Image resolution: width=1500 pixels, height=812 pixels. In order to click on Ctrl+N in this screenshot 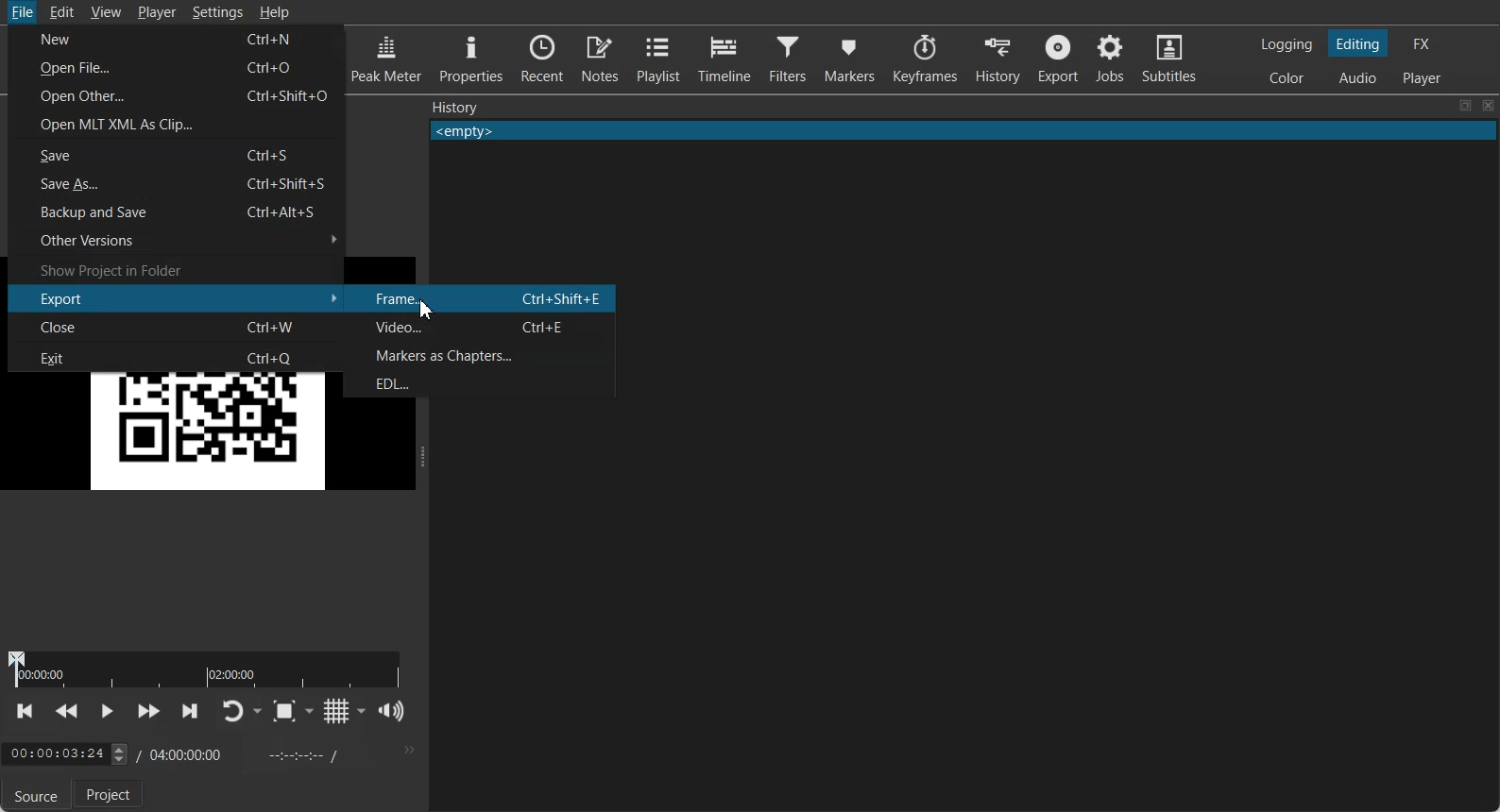, I will do `click(277, 40)`.